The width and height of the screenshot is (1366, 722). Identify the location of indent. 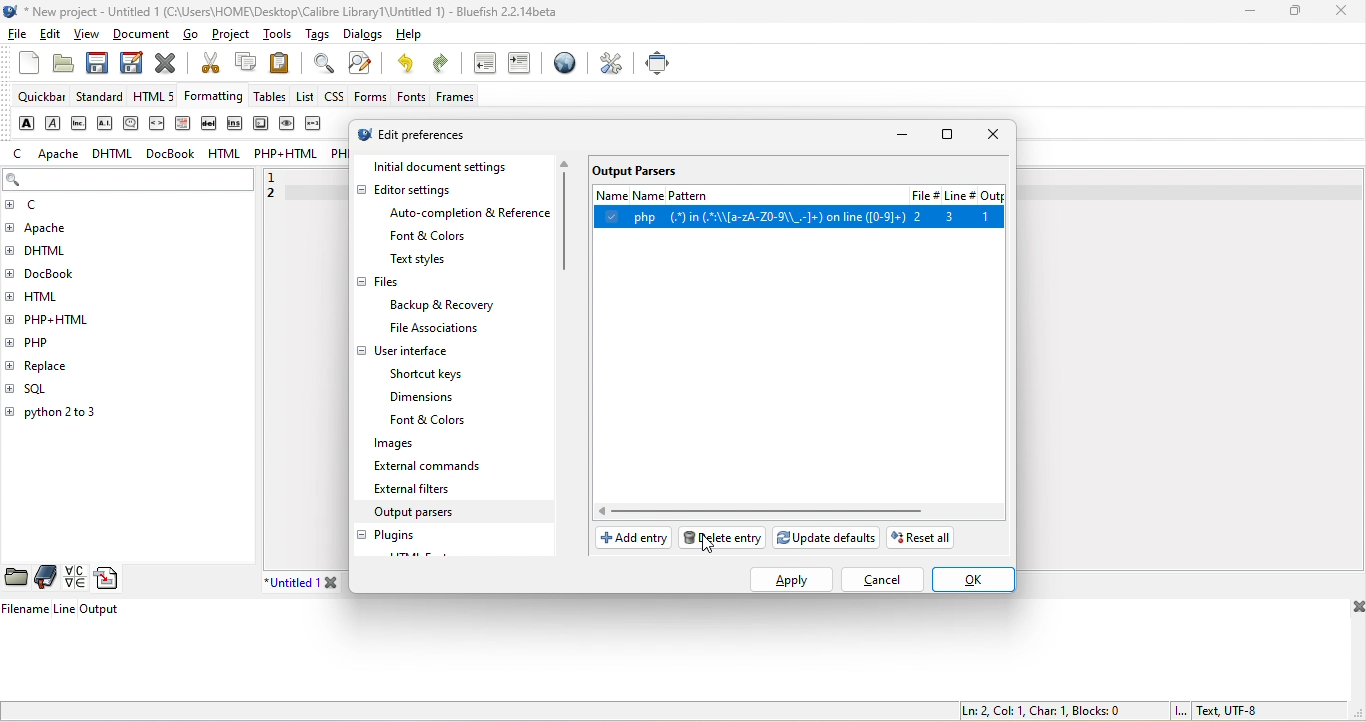
(522, 65).